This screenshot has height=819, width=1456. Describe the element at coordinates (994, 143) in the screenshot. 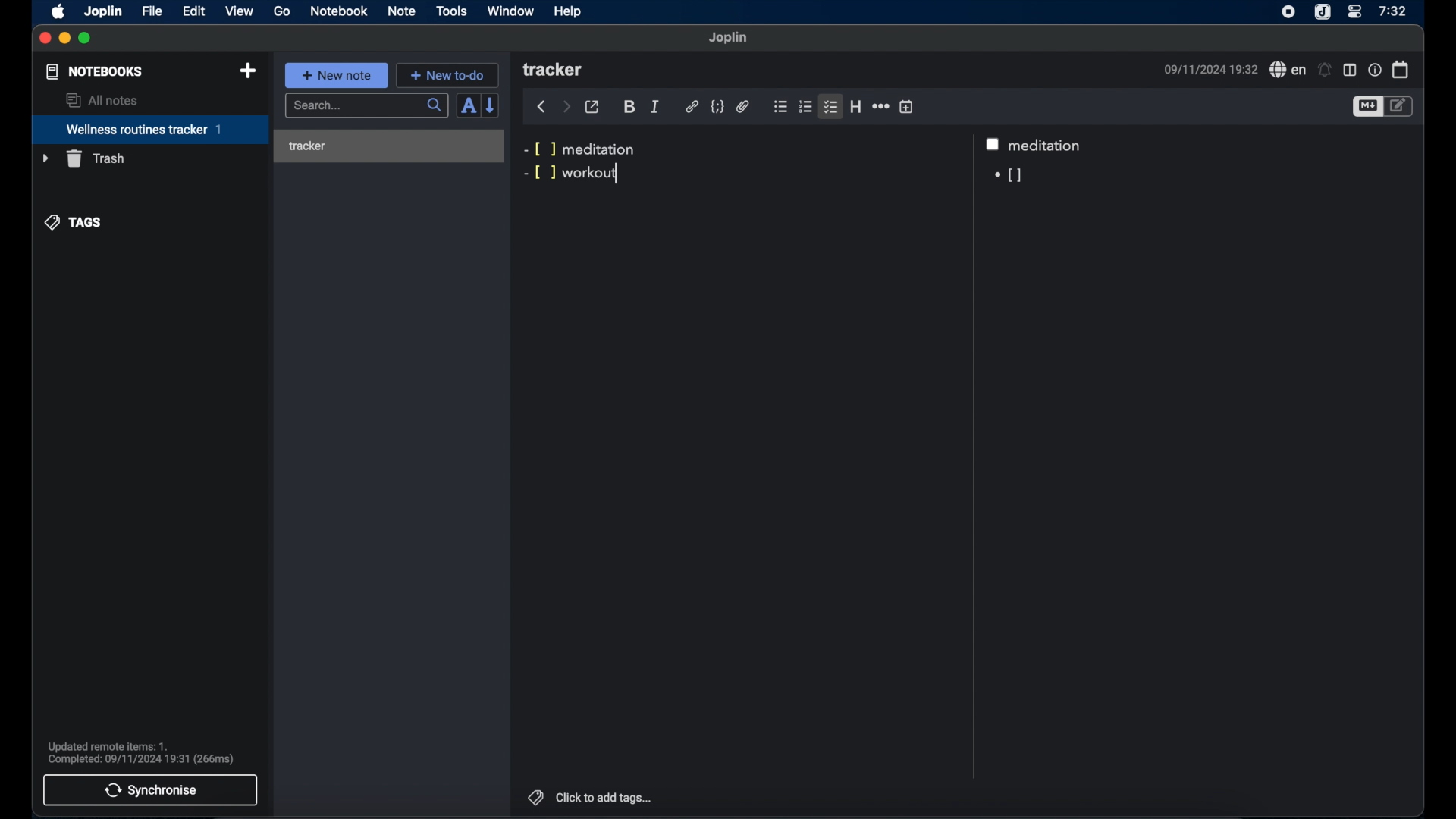

I see `checkbox` at that location.